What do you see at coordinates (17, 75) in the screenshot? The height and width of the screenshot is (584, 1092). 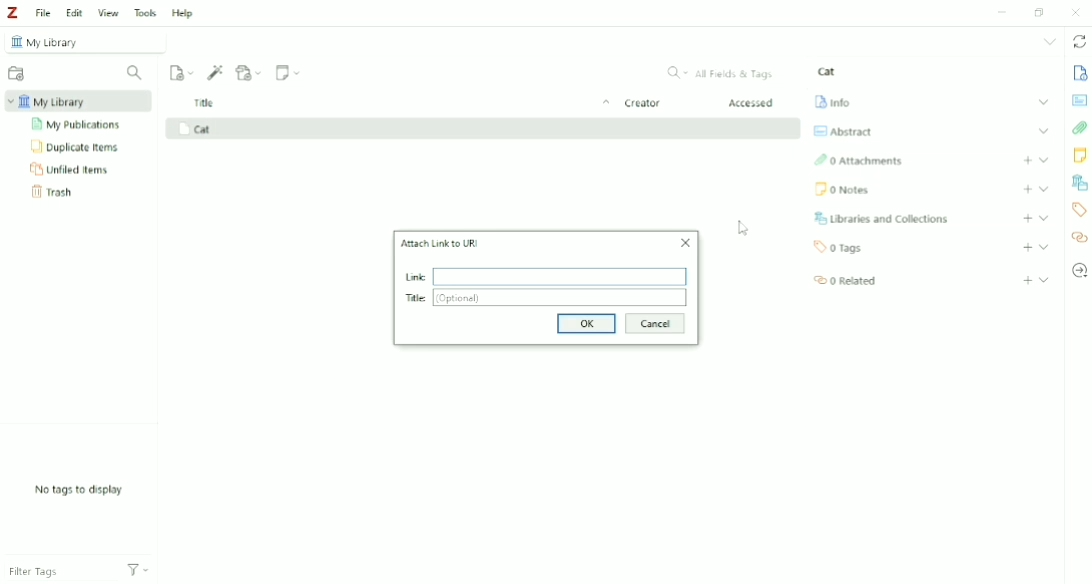 I see `New Collection` at bounding box center [17, 75].